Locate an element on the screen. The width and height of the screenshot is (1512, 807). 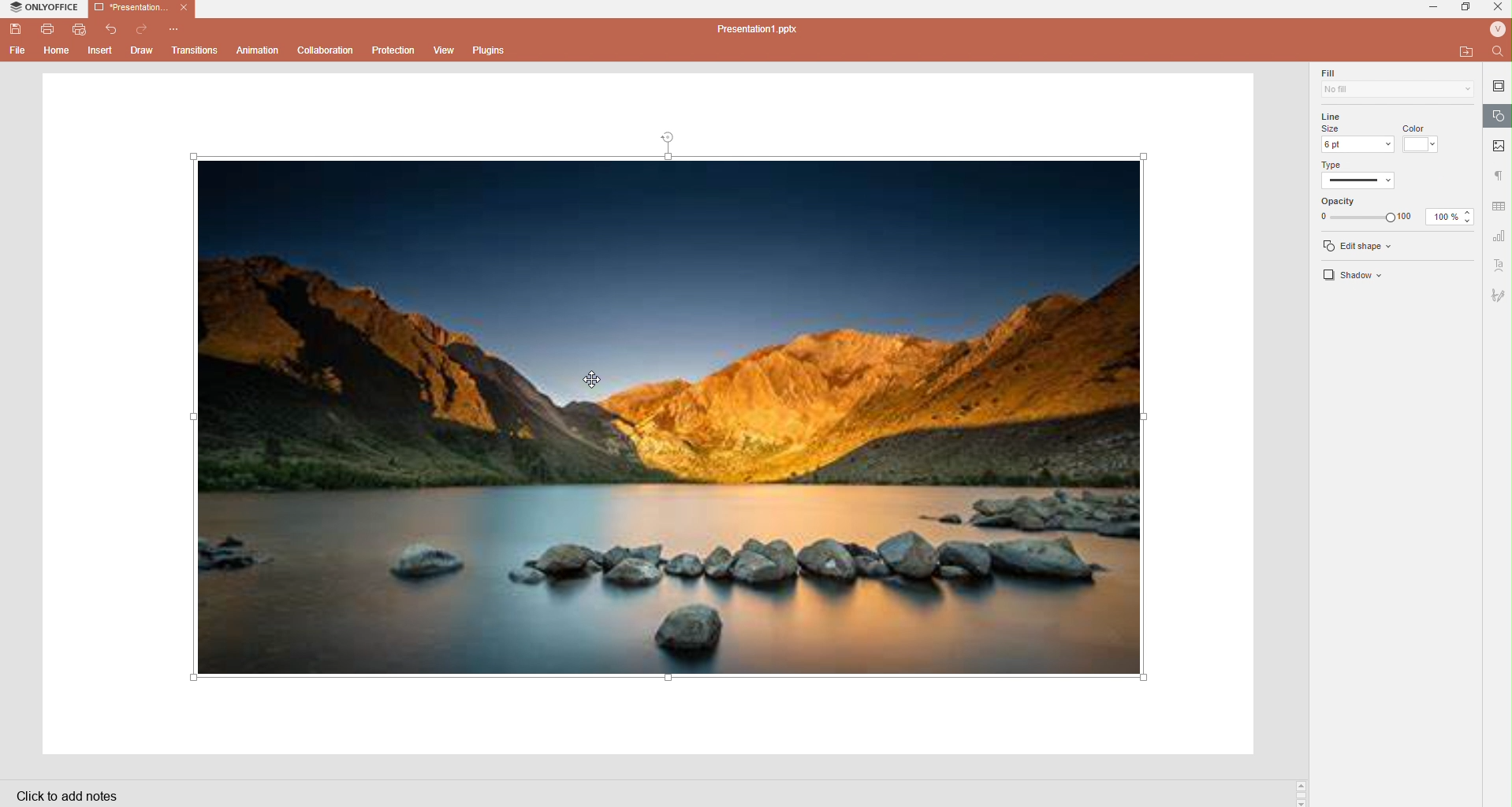
Image is located at coordinates (678, 418).